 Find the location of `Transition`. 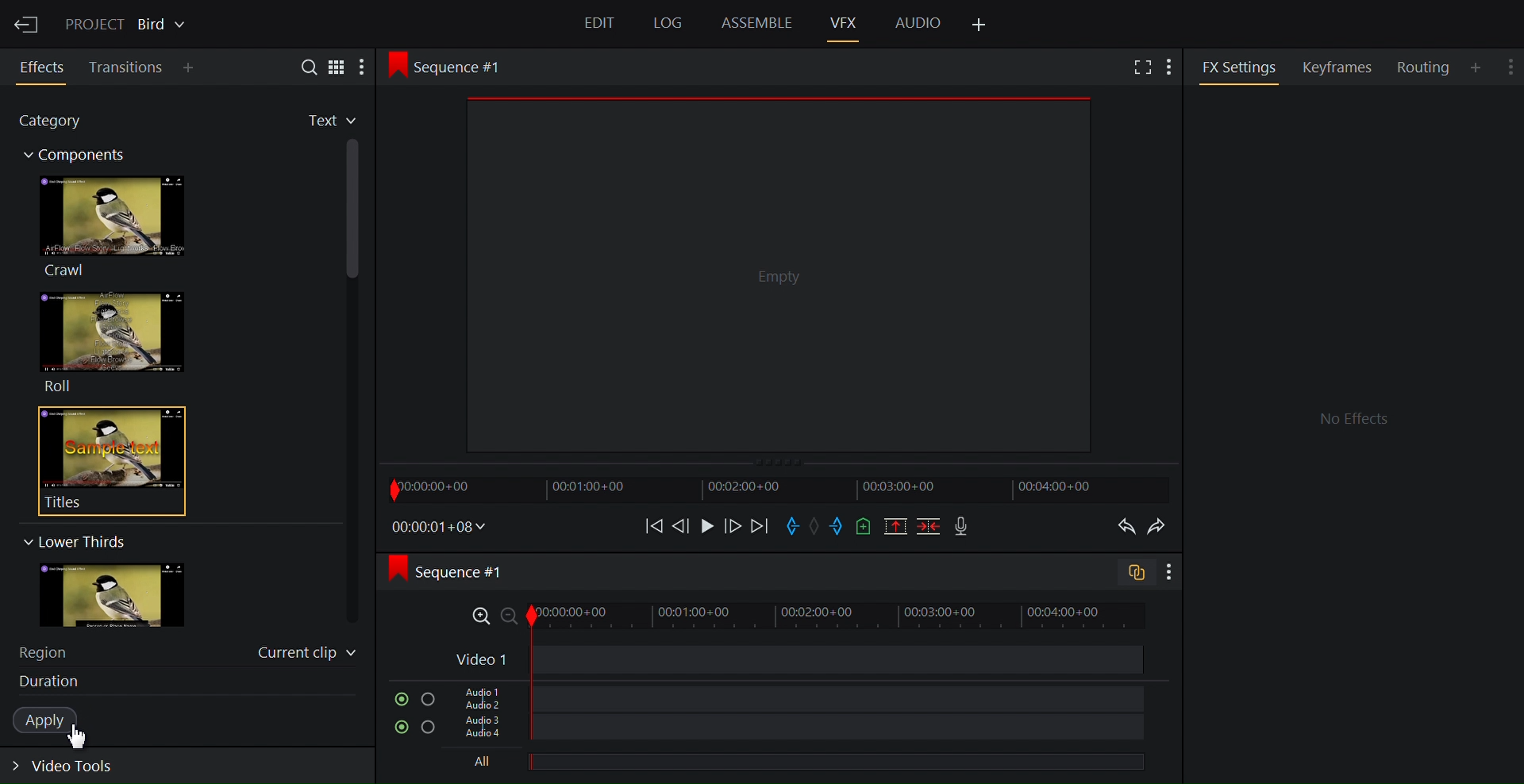

Transition is located at coordinates (127, 67).